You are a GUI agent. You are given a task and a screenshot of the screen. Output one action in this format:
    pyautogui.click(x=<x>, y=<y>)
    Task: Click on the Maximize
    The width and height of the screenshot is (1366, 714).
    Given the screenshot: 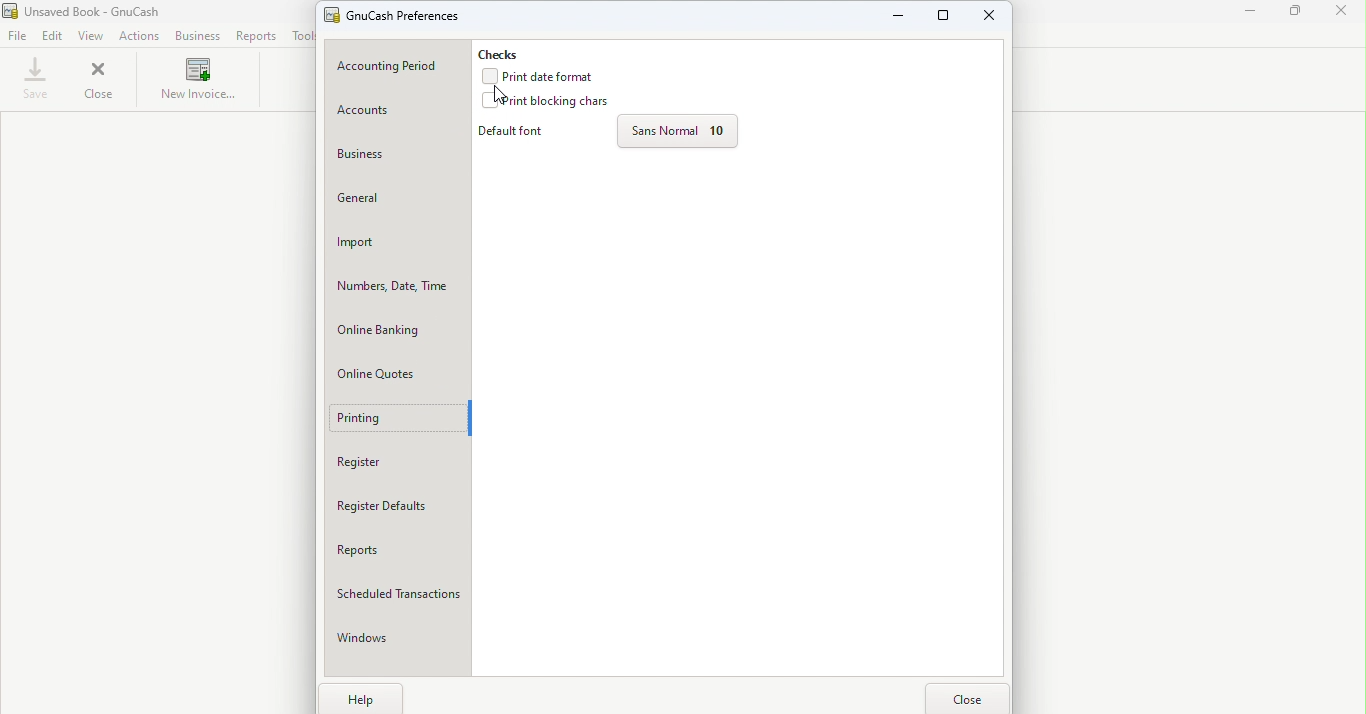 What is the action you would take?
    pyautogui.click(x=943, y=18)
    